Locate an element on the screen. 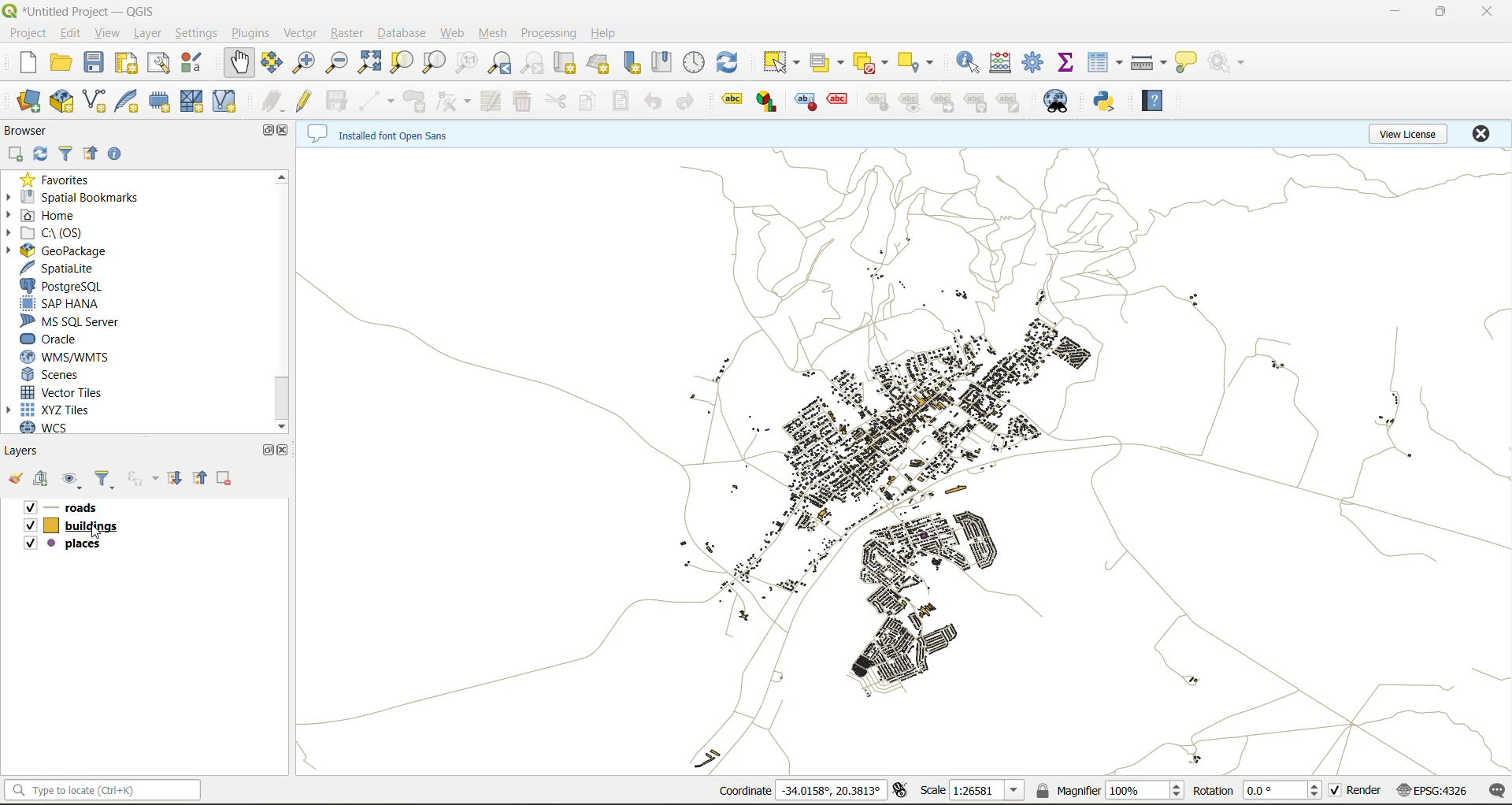 The height and width of the screenshot is (805, 1512). attribute table is located at coordinates (1106, 62).